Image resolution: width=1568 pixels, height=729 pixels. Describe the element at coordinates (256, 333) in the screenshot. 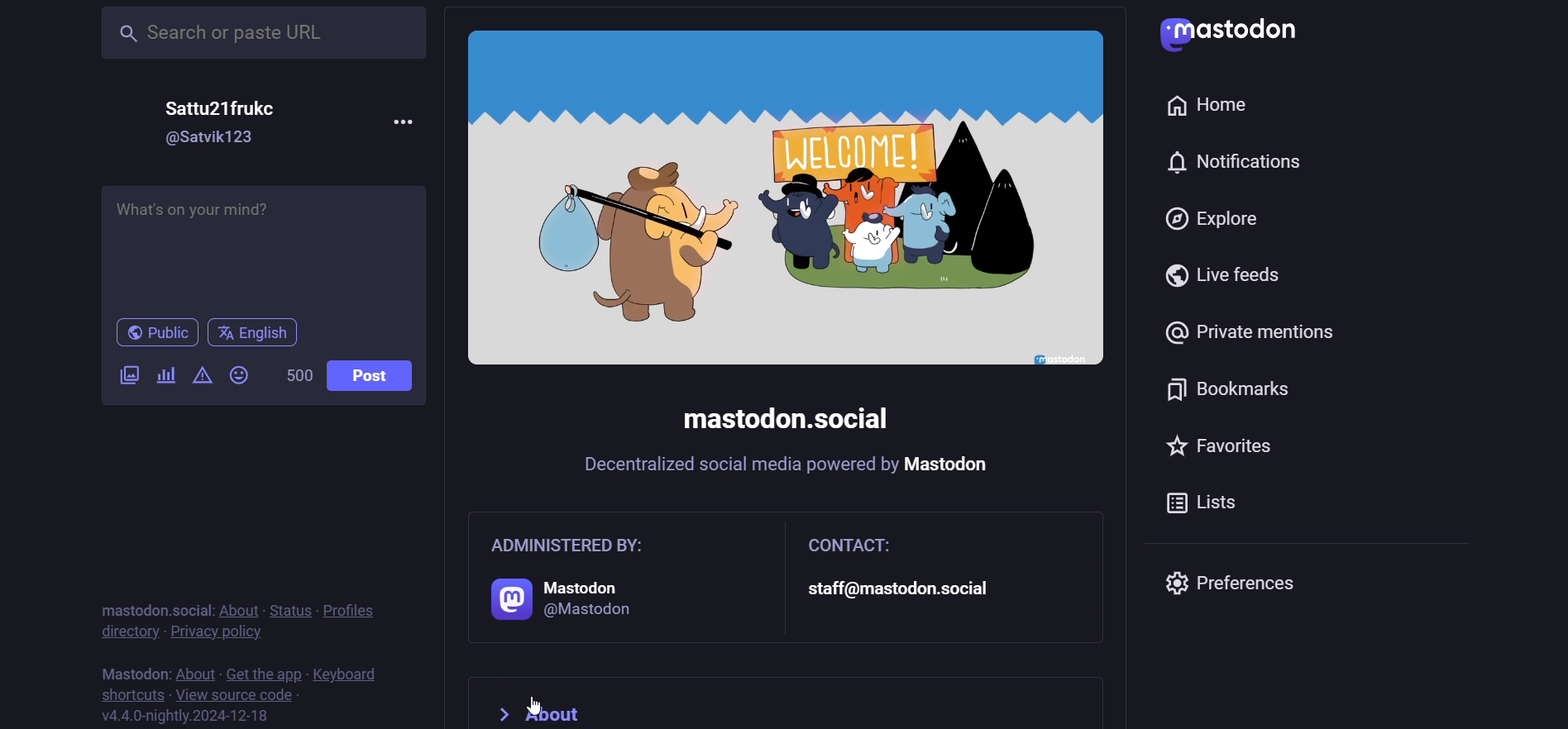

I see `english` at that location.